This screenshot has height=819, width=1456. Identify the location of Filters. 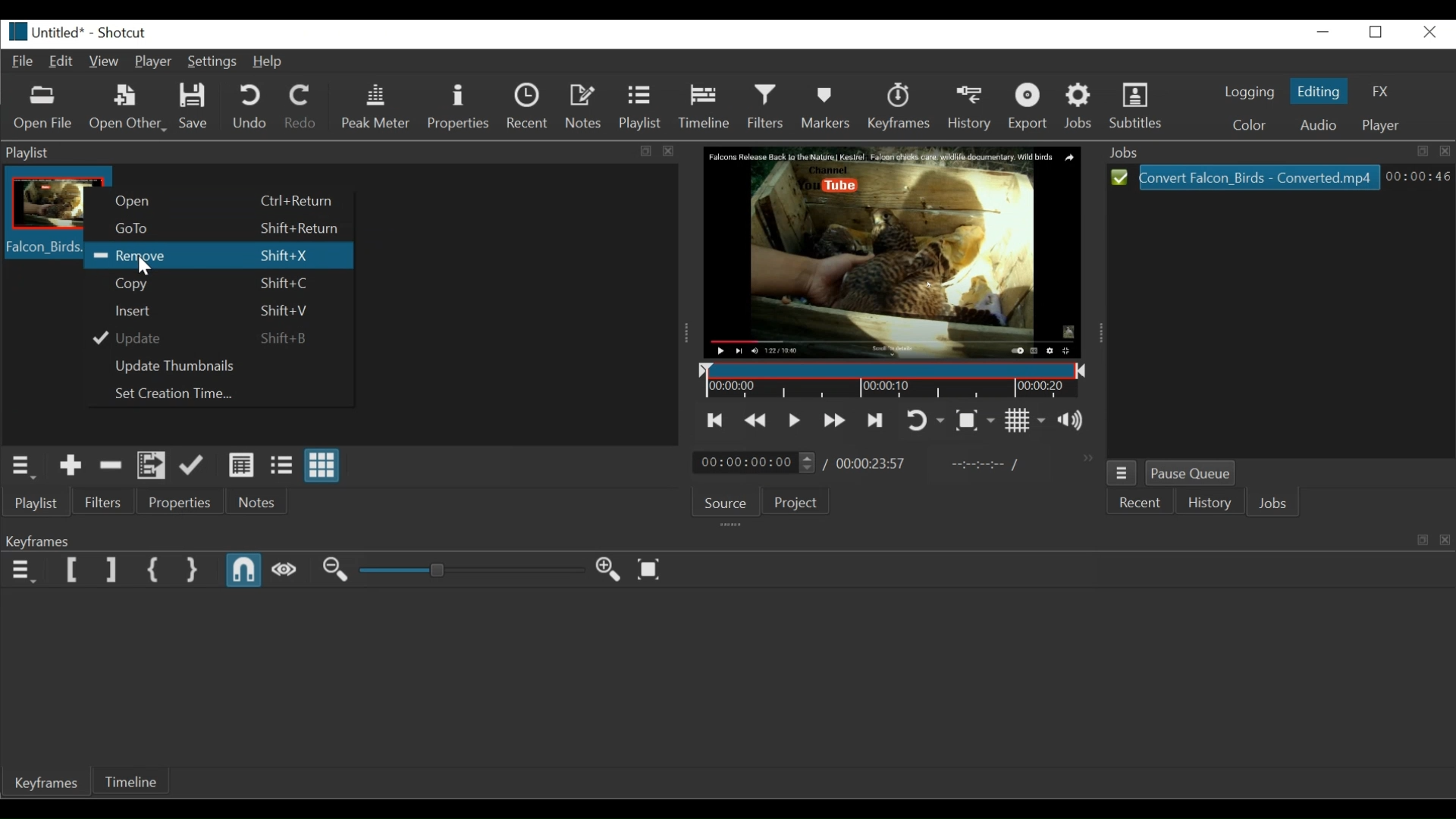
(104, 502).